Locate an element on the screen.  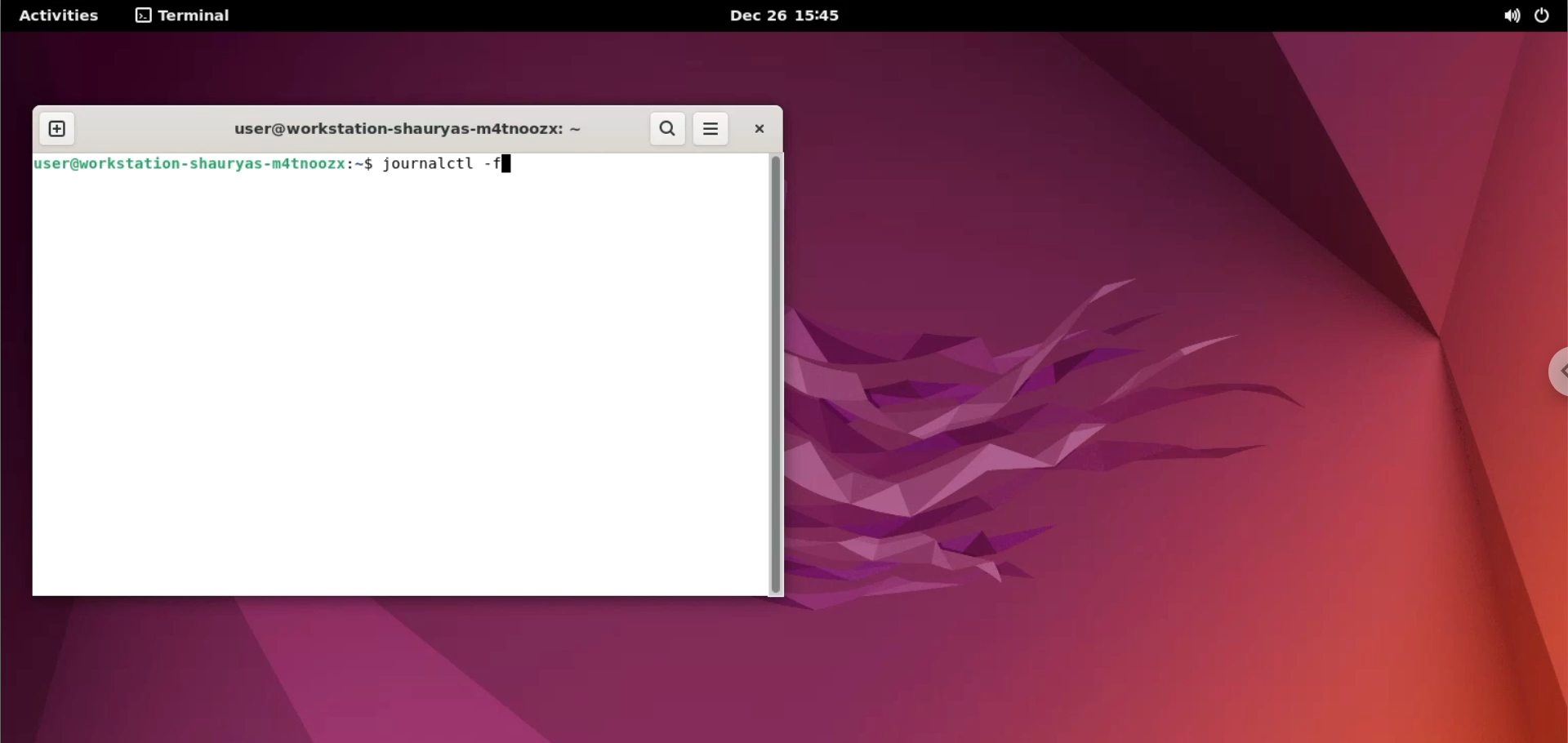
more options is located at coordinates (711, 130).